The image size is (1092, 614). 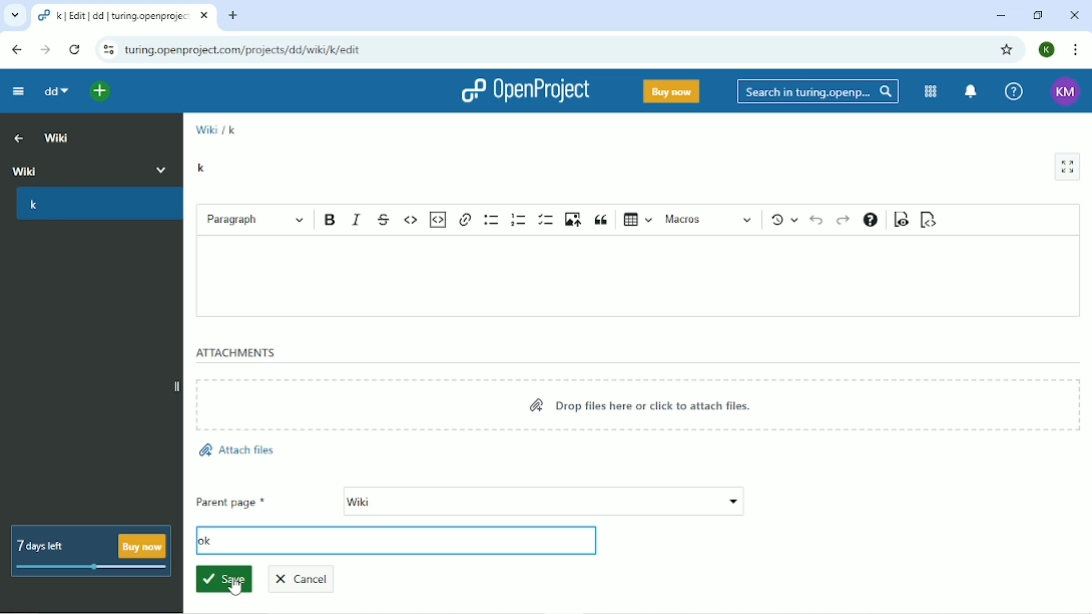 What do you see at coordinates (18, 91) in the screenshot?
I see `Collapse project menu` at bounding box center [18, 91].